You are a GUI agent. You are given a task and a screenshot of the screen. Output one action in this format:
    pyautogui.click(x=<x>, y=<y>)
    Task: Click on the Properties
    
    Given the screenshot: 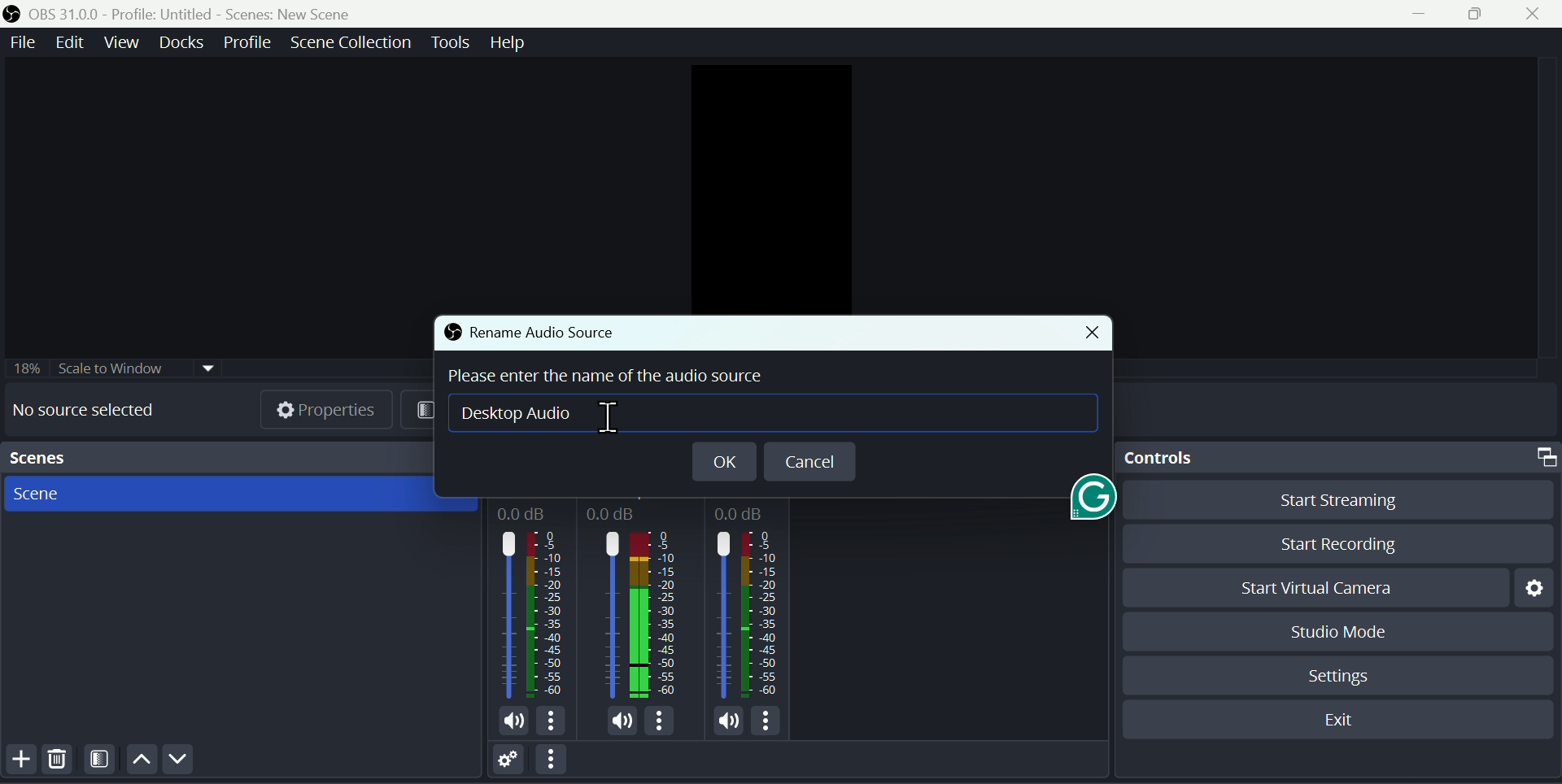 What is the action you would take?
    pyautogui.click(x=331, y=412)
    